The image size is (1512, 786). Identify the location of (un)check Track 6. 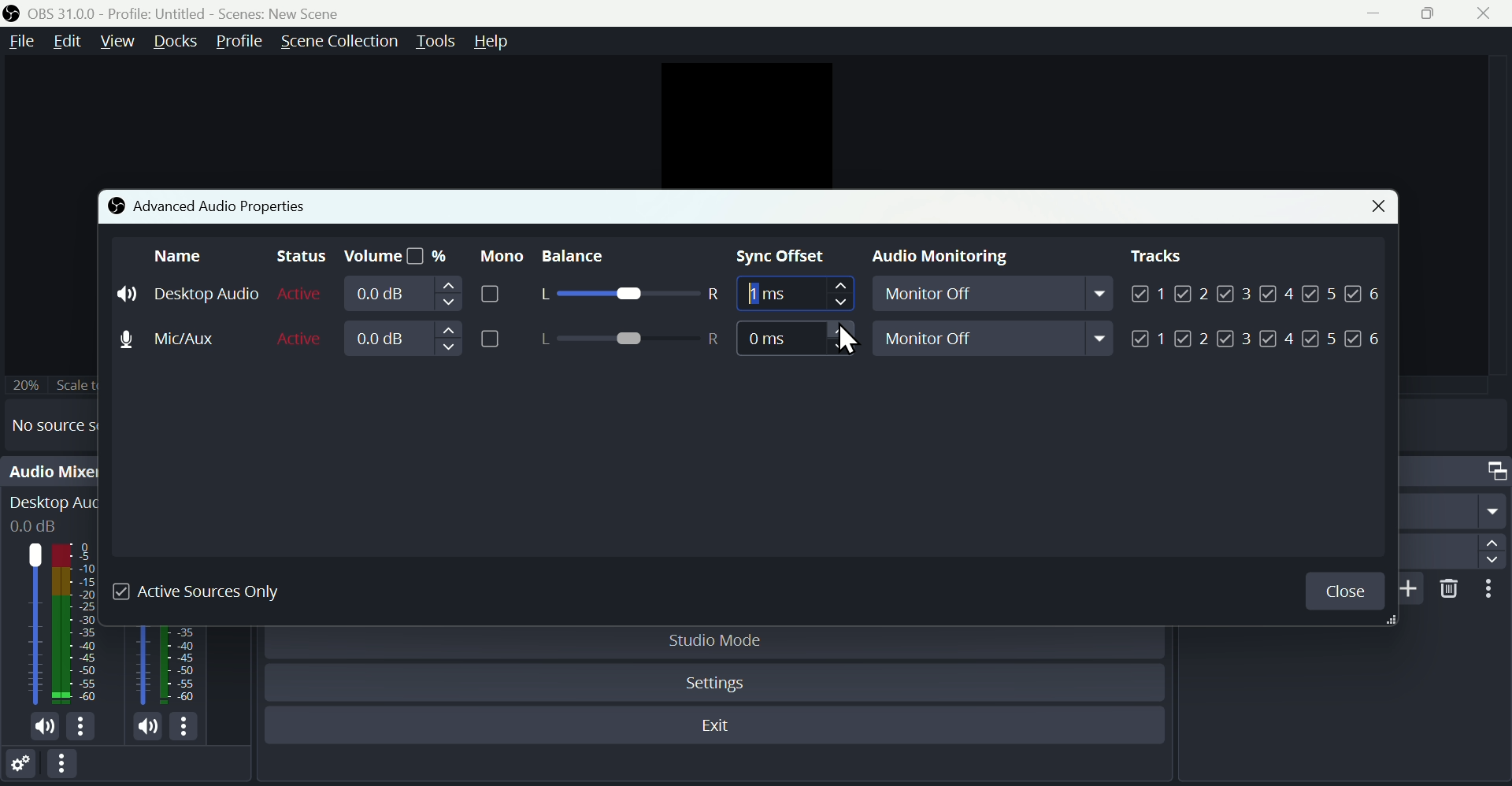
(1364, 339).